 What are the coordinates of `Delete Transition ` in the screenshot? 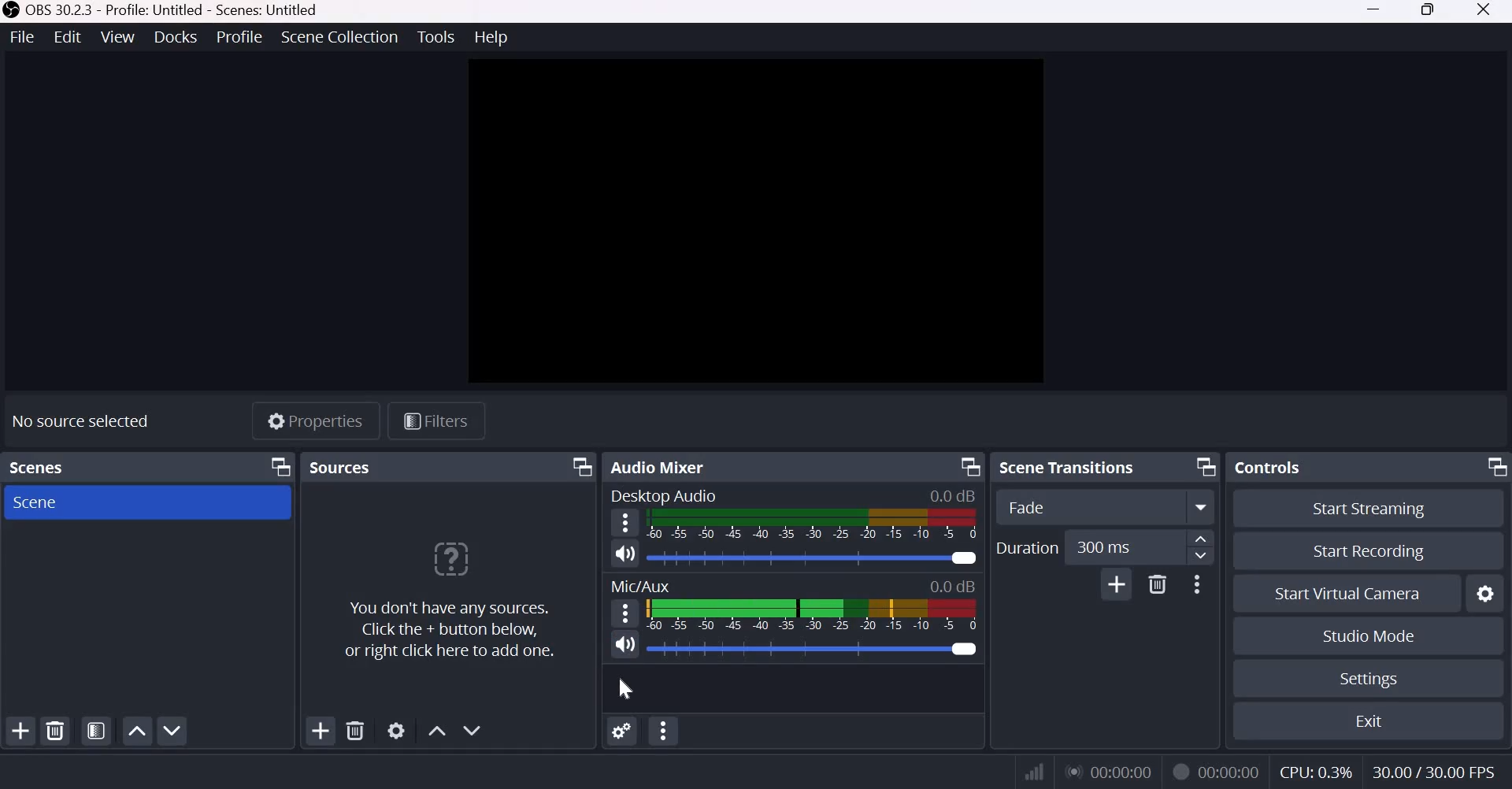 It's located at (1157, 584).